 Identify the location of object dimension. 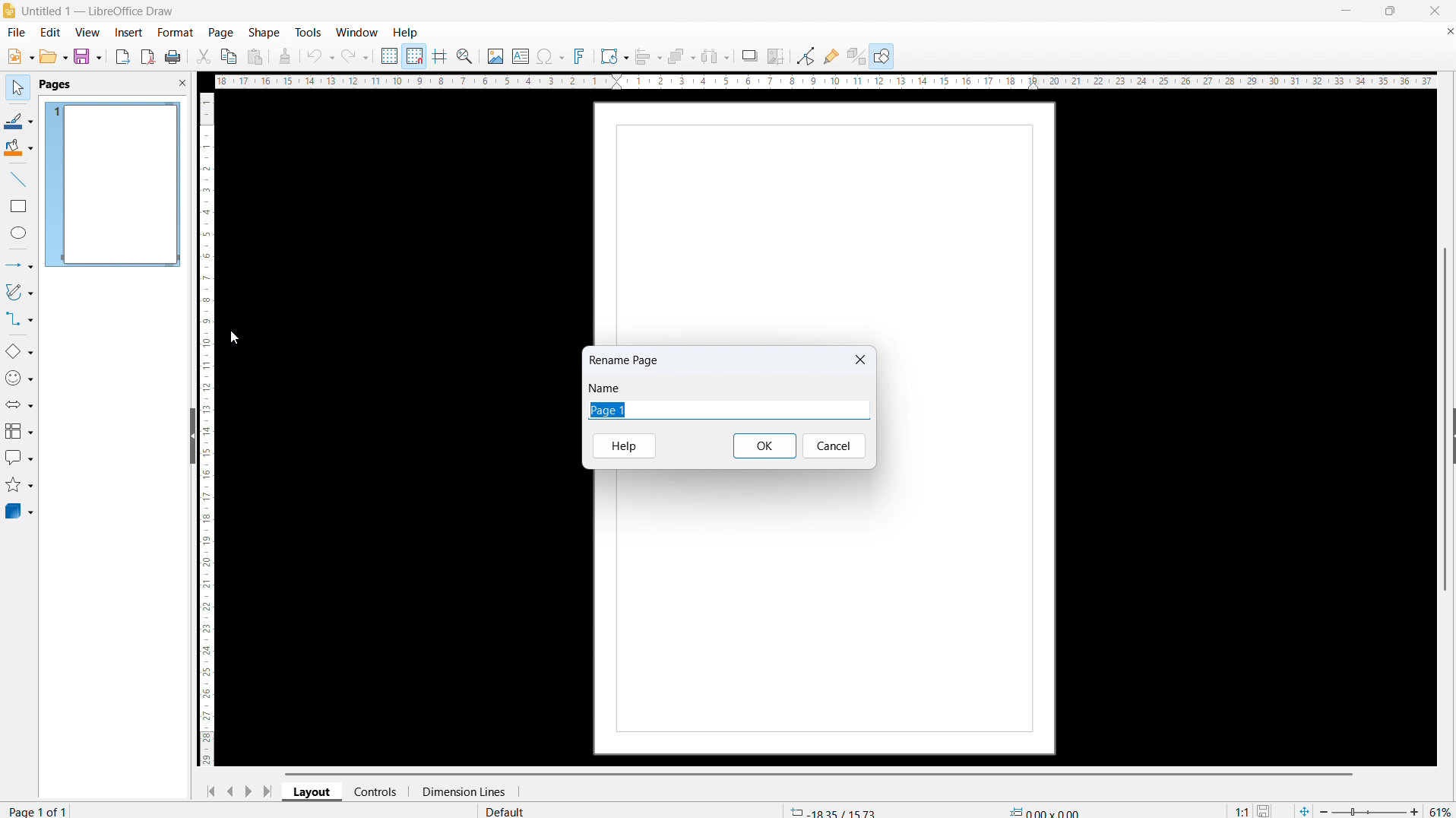
(1046, 810).